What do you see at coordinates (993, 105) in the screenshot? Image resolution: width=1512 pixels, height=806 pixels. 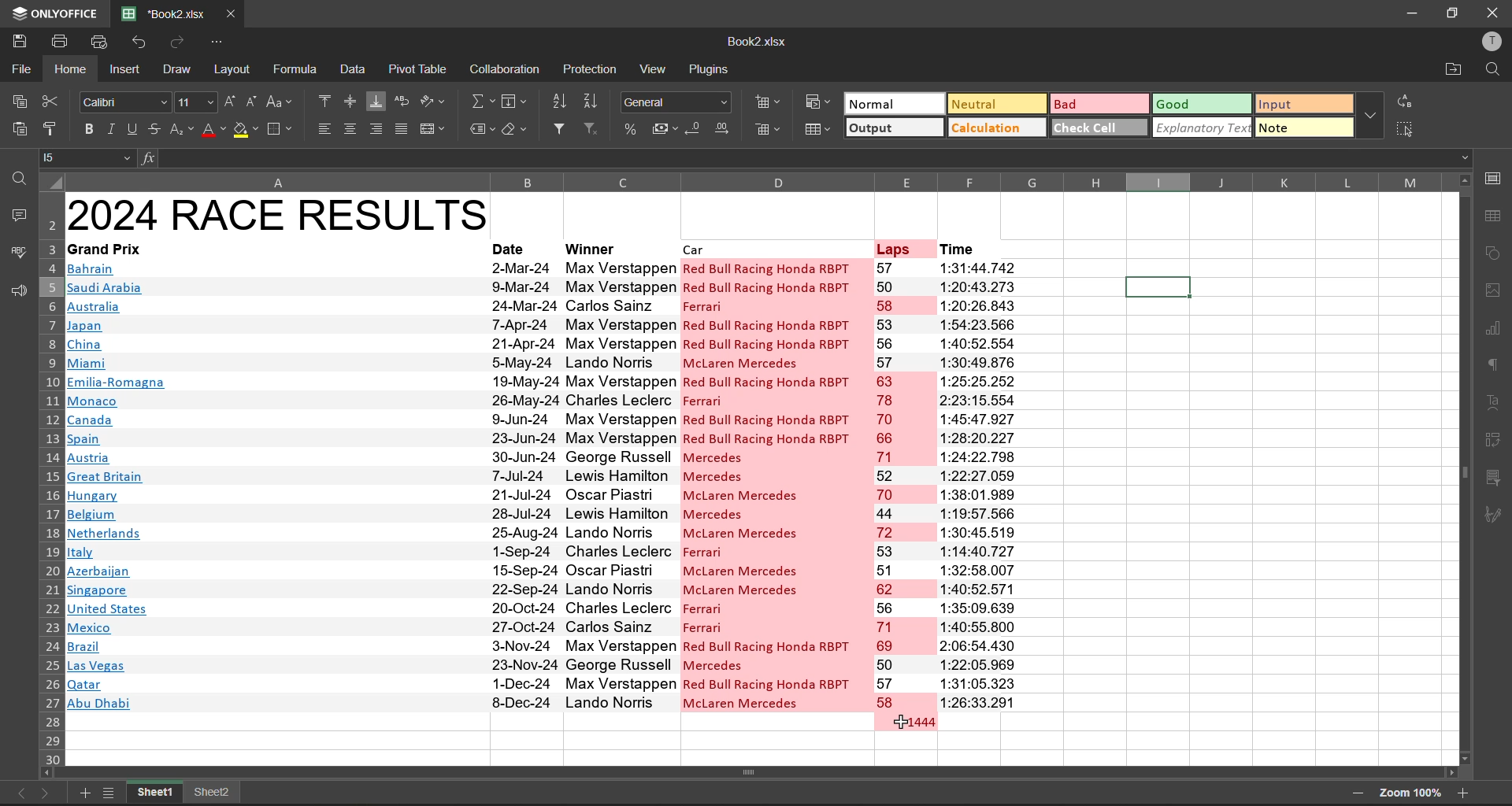 I see `neutral` at bounding box center [993, 105].